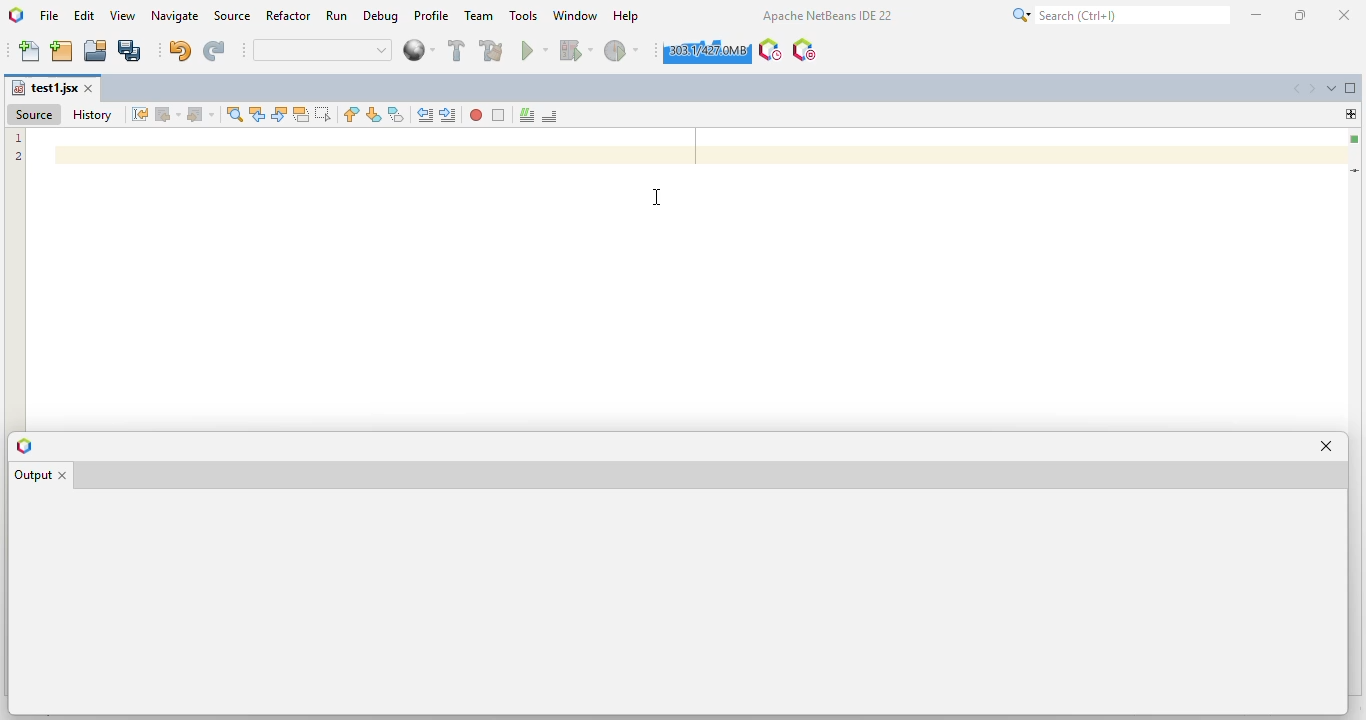 This screenshot has height=720, width=1366. What do you see at coordinates (352, 114) in the screenshot?
I see `previous bookmark` at bounding box center [352, 114].